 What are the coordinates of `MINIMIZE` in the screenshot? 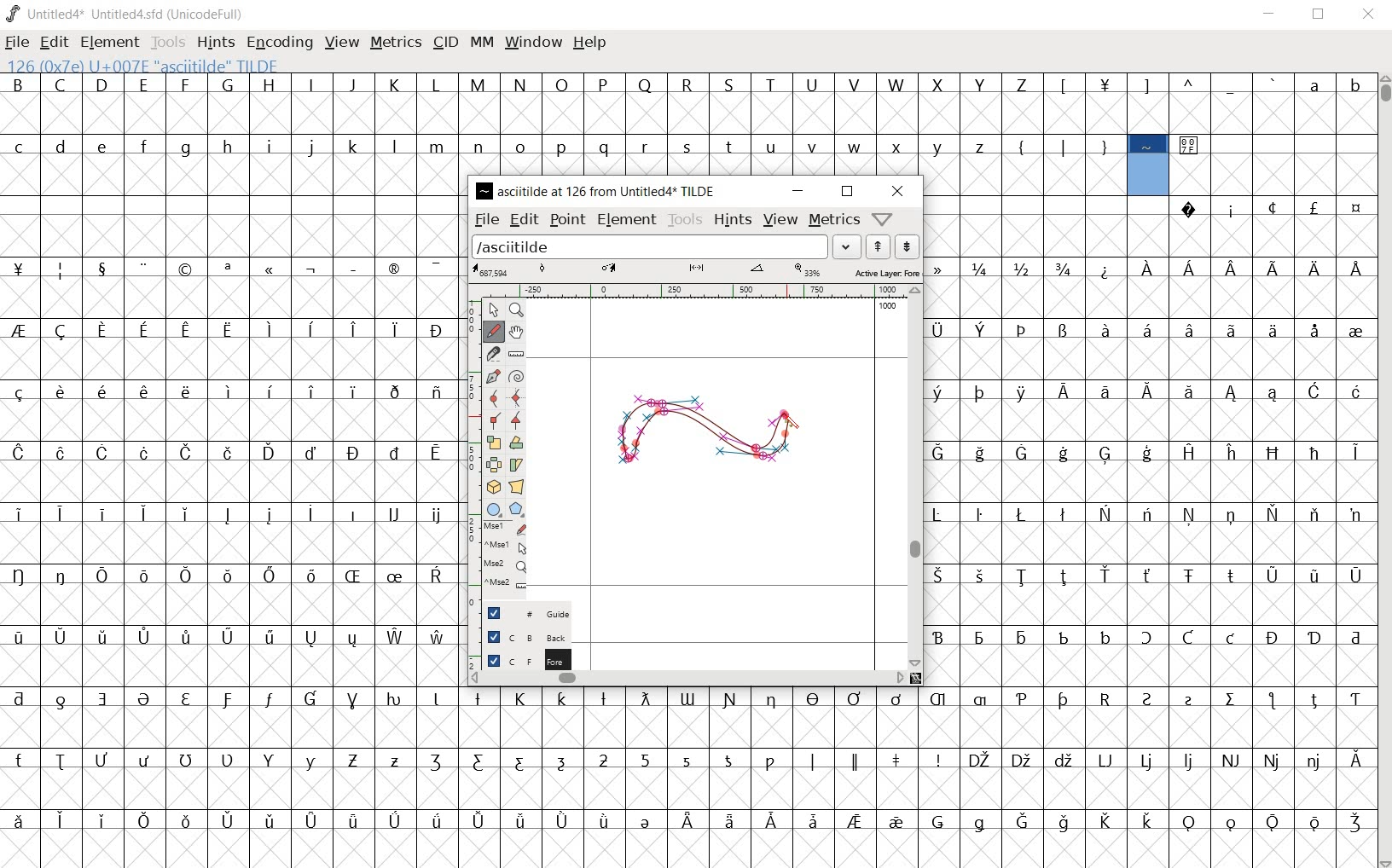 It's located at (1272, 16).